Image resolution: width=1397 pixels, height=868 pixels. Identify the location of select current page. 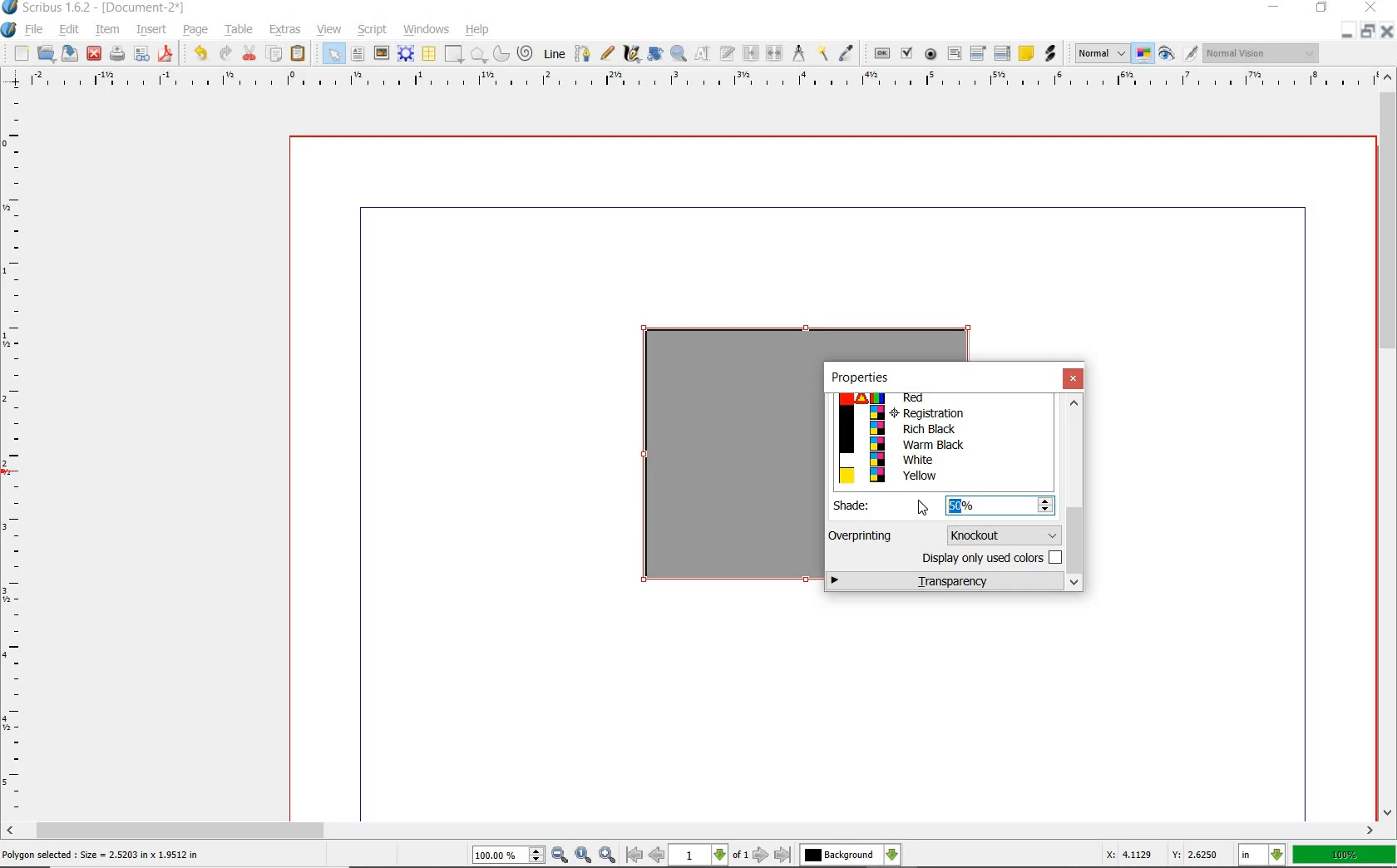
(708, 856).